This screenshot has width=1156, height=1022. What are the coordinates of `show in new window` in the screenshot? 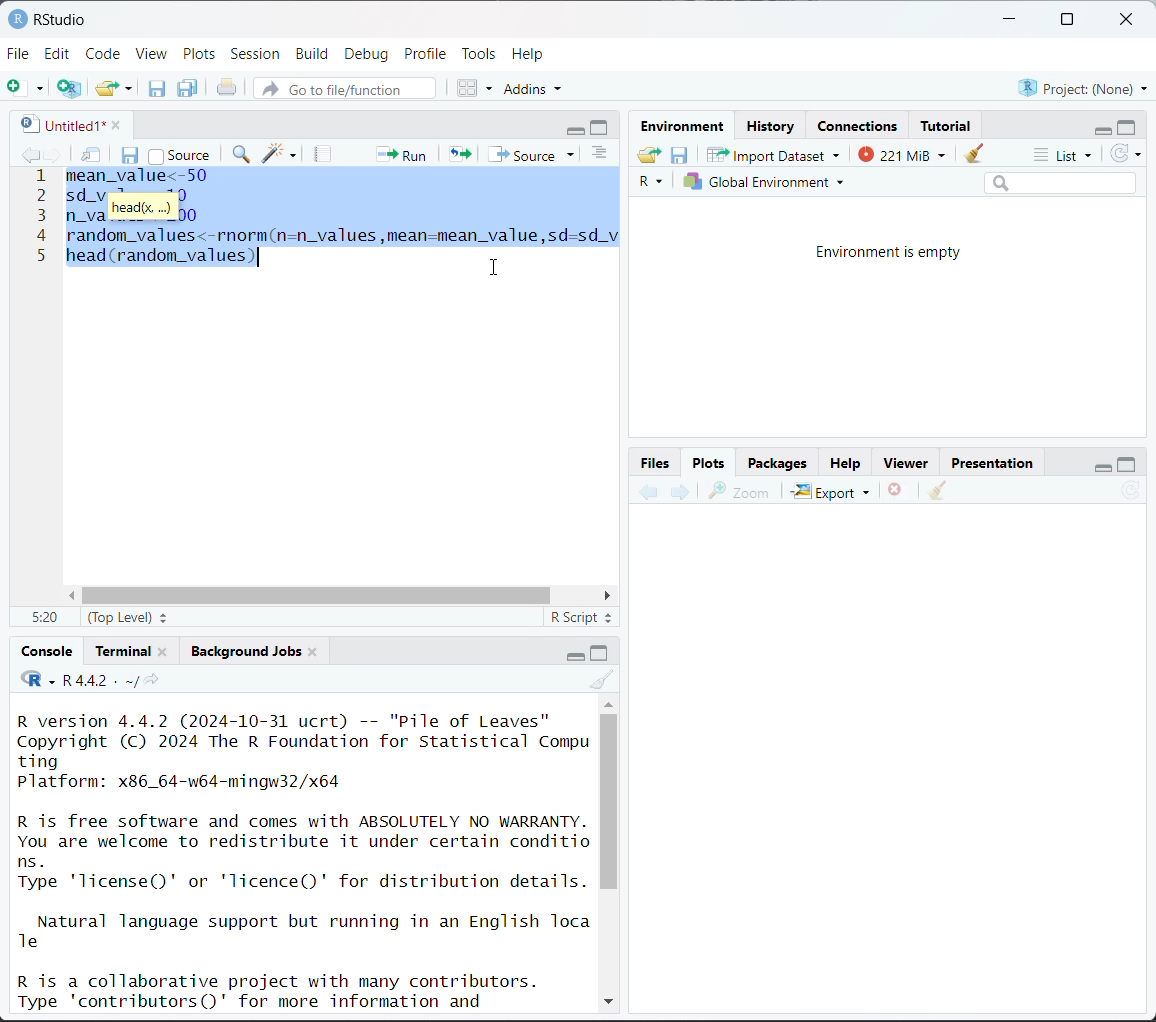 It's located at (93, 156).